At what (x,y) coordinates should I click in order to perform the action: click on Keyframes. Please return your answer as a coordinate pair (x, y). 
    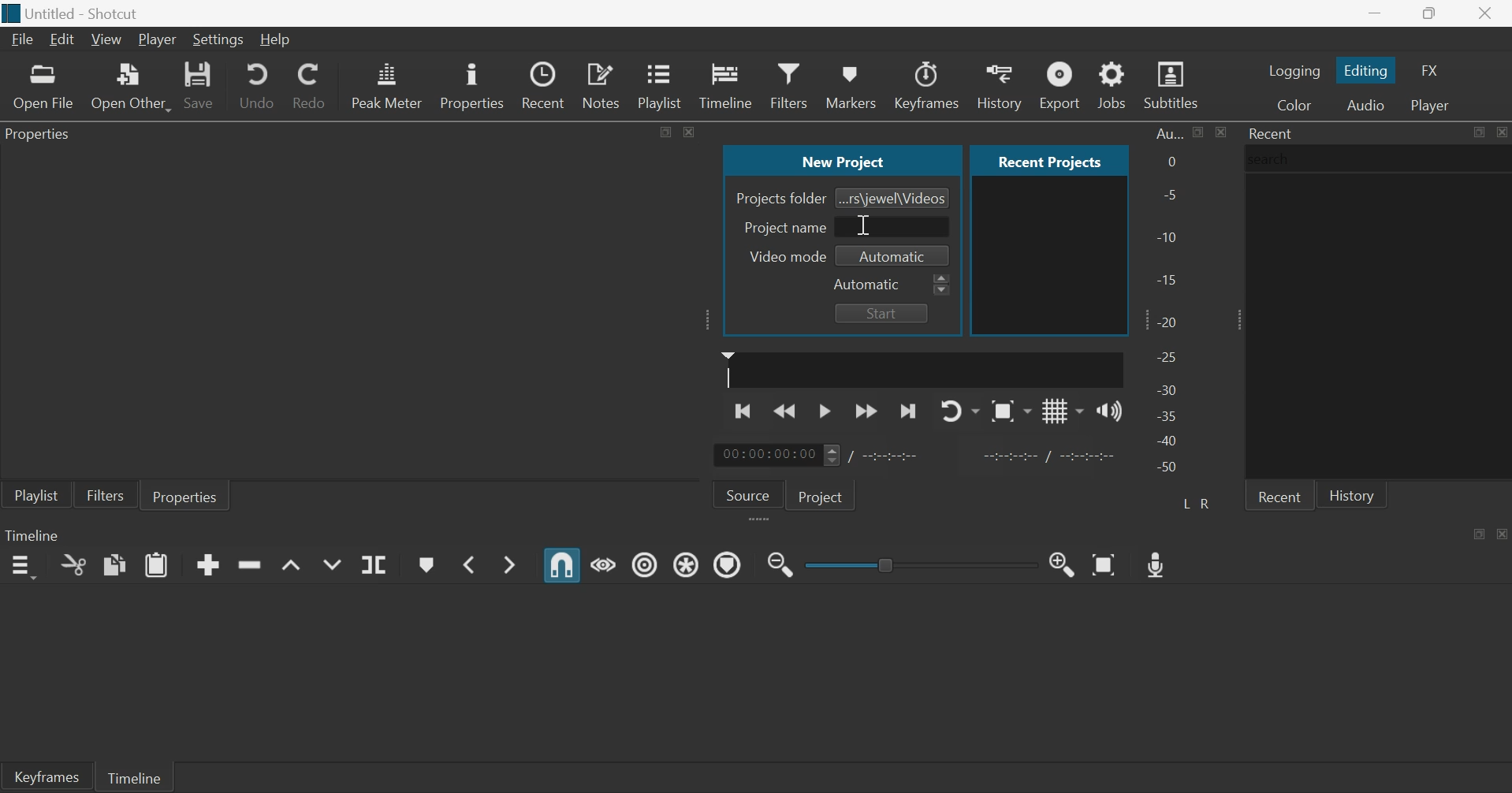
    Looking at the image, I should click on (46, 776).